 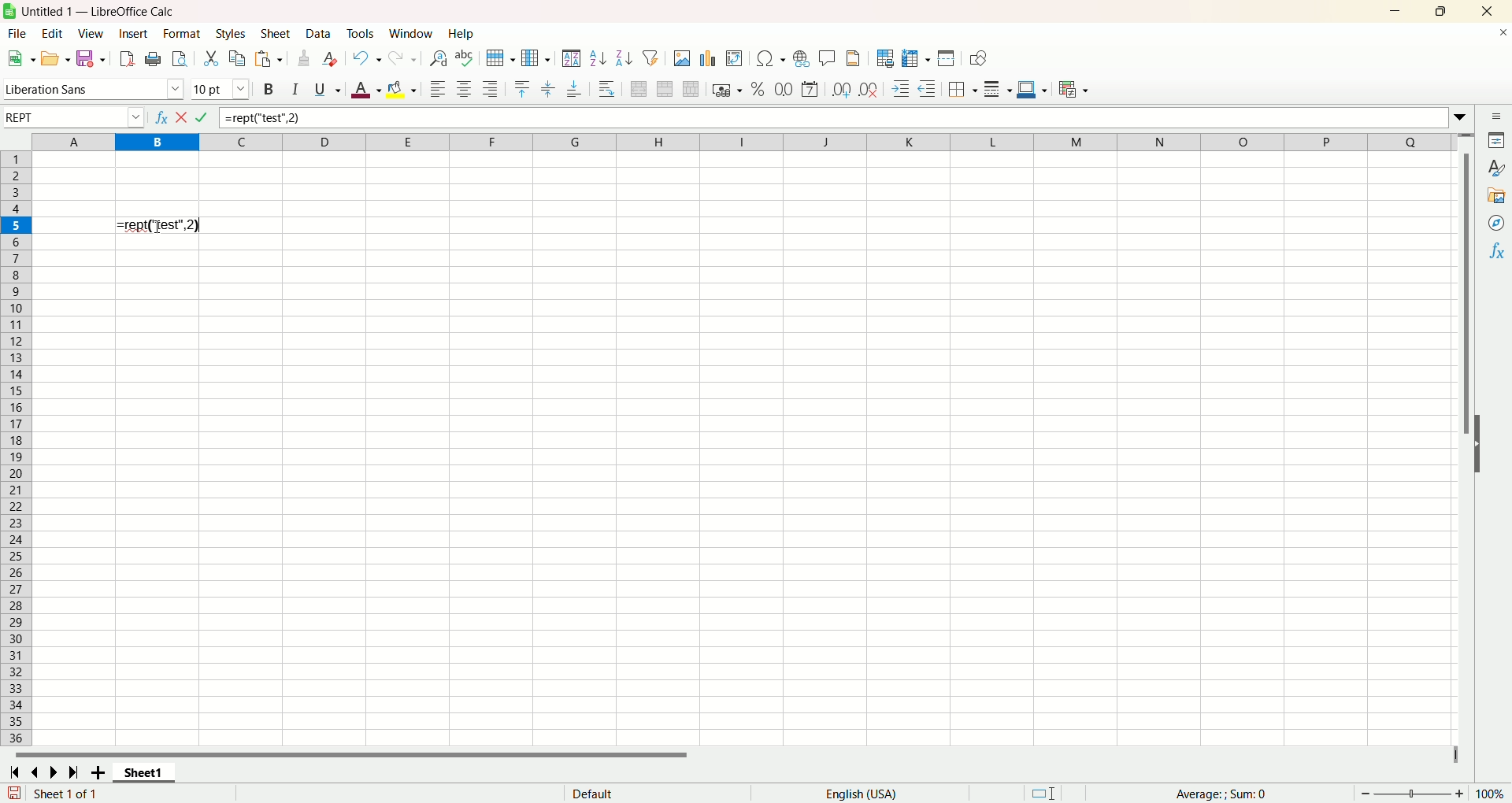 I want to click on columns, so click(x=733, y=142).